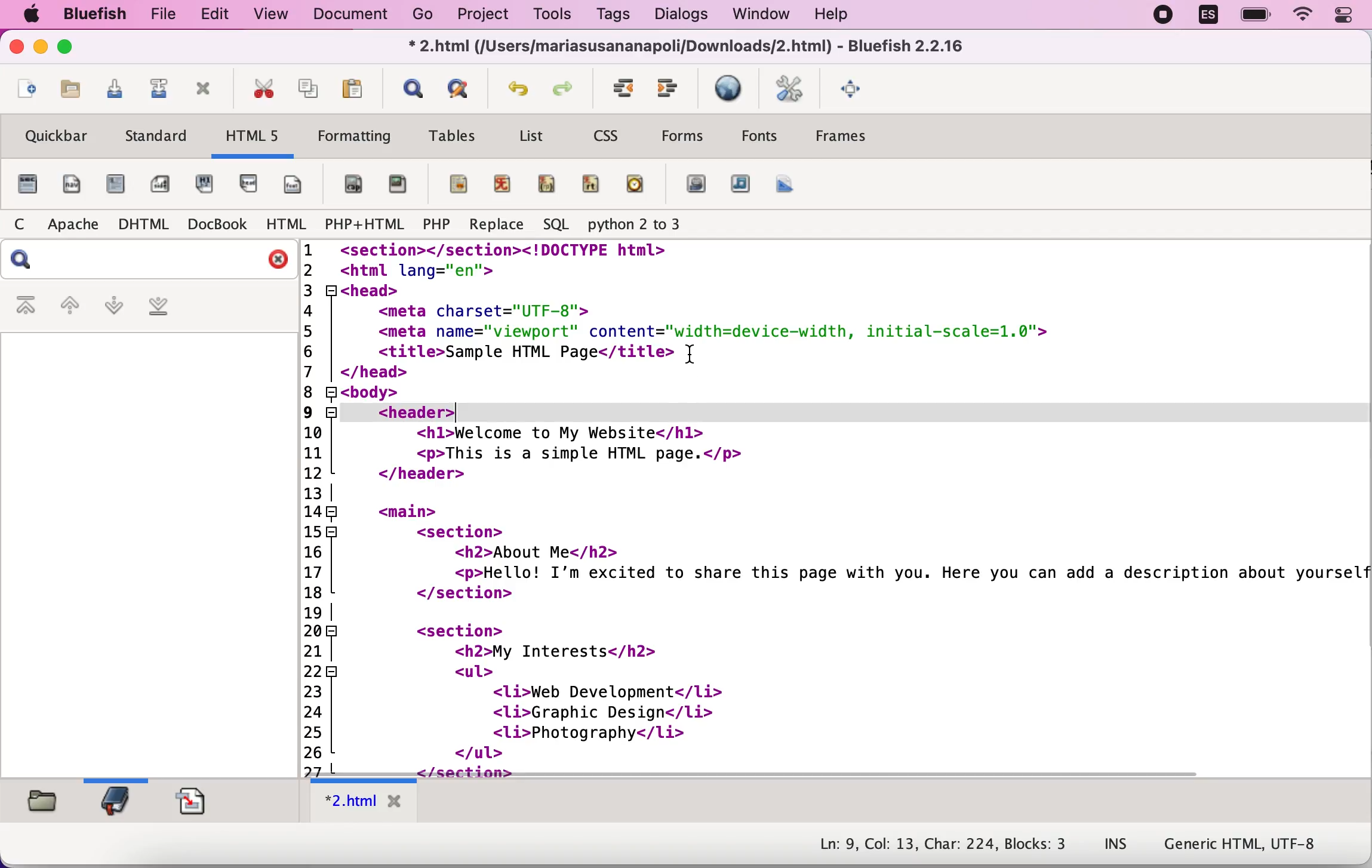  What do you see at coordinates (436, 224) in the screenshot?
I see `php` at bounding box center [436, 224].